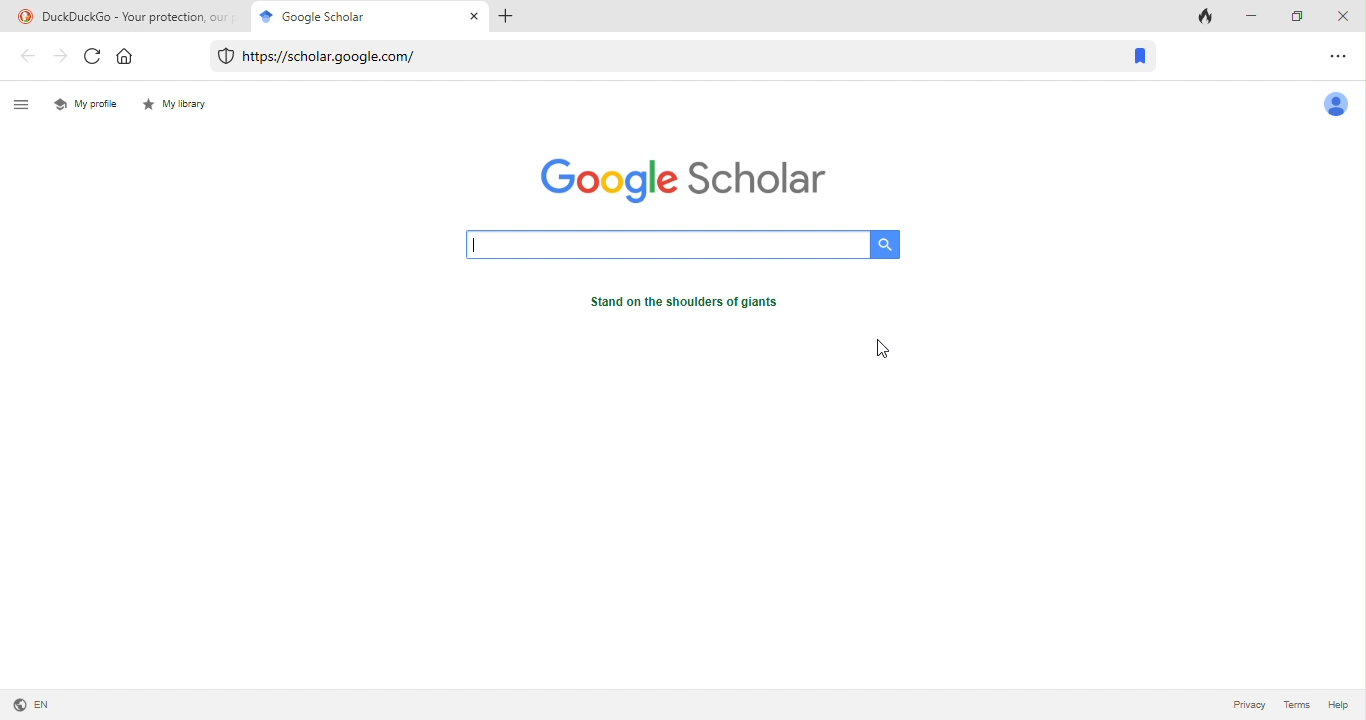 This screenshot has height=720, width=1366. Describe the element at coordinates (1343, 57) in the screenshot. I see `option` at that location.